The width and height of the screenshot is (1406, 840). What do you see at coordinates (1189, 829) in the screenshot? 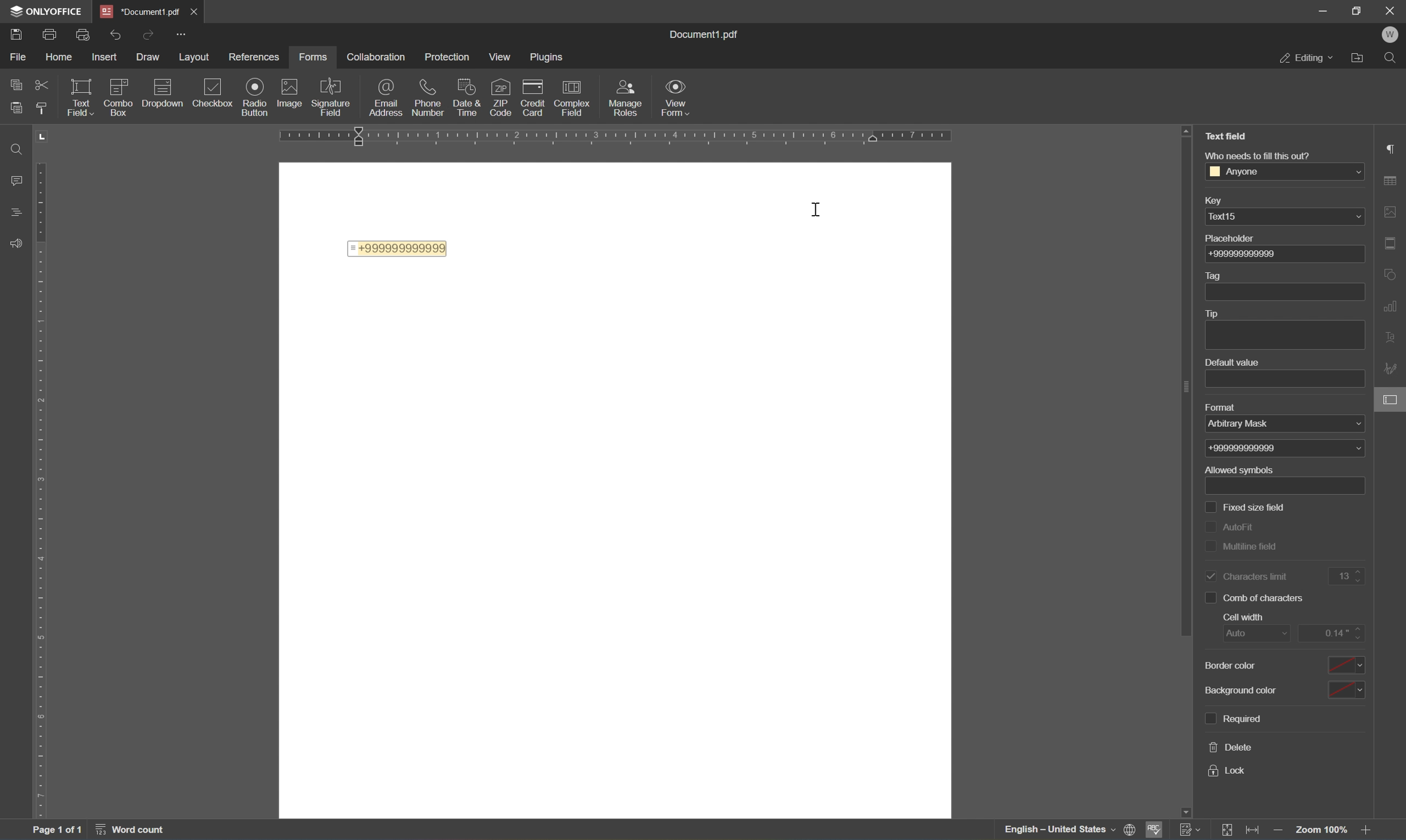
I see `track changes` at bounding box center [1189, 829].